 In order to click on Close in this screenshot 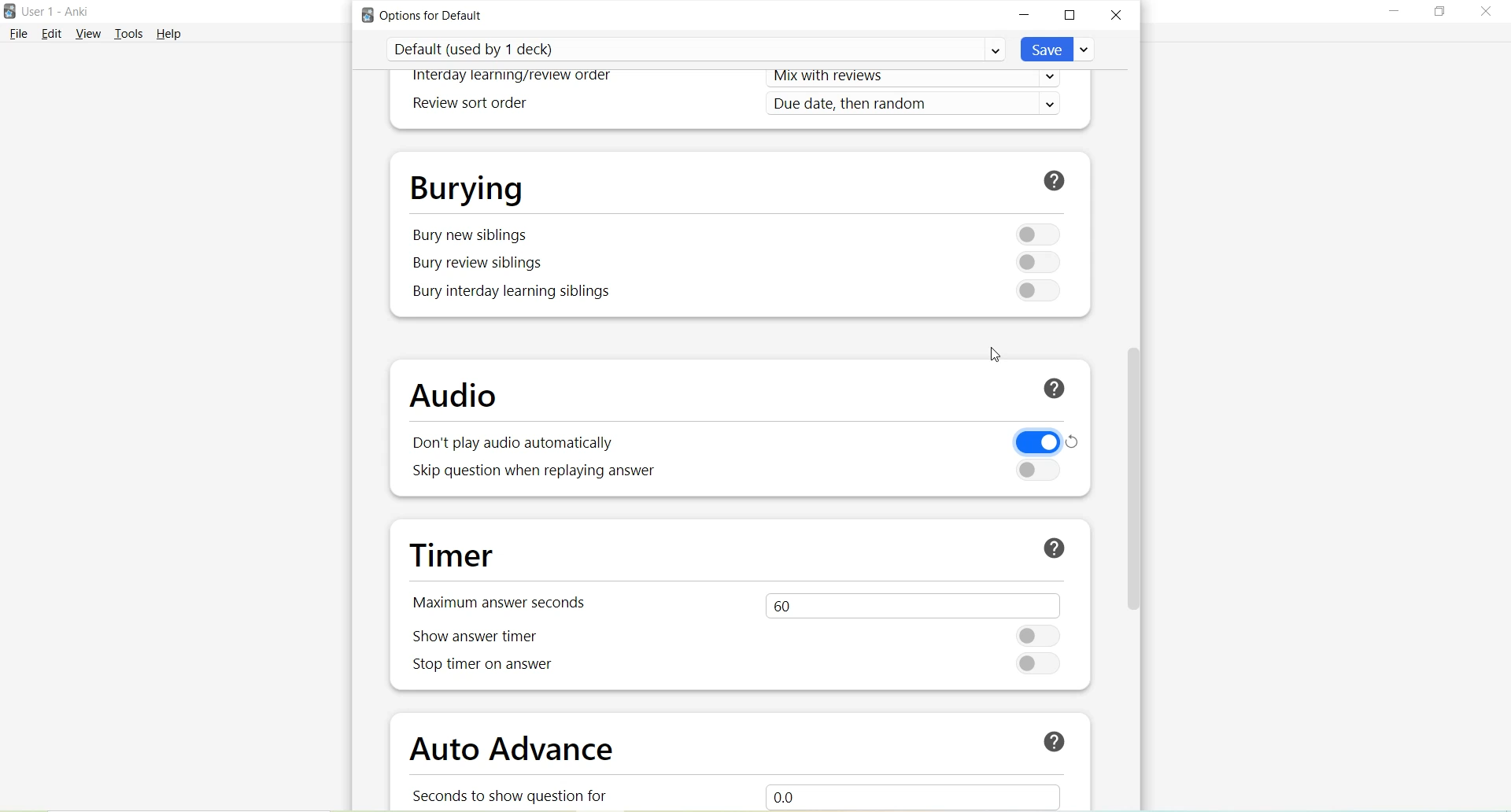, I will do `click(1116, 14)`.